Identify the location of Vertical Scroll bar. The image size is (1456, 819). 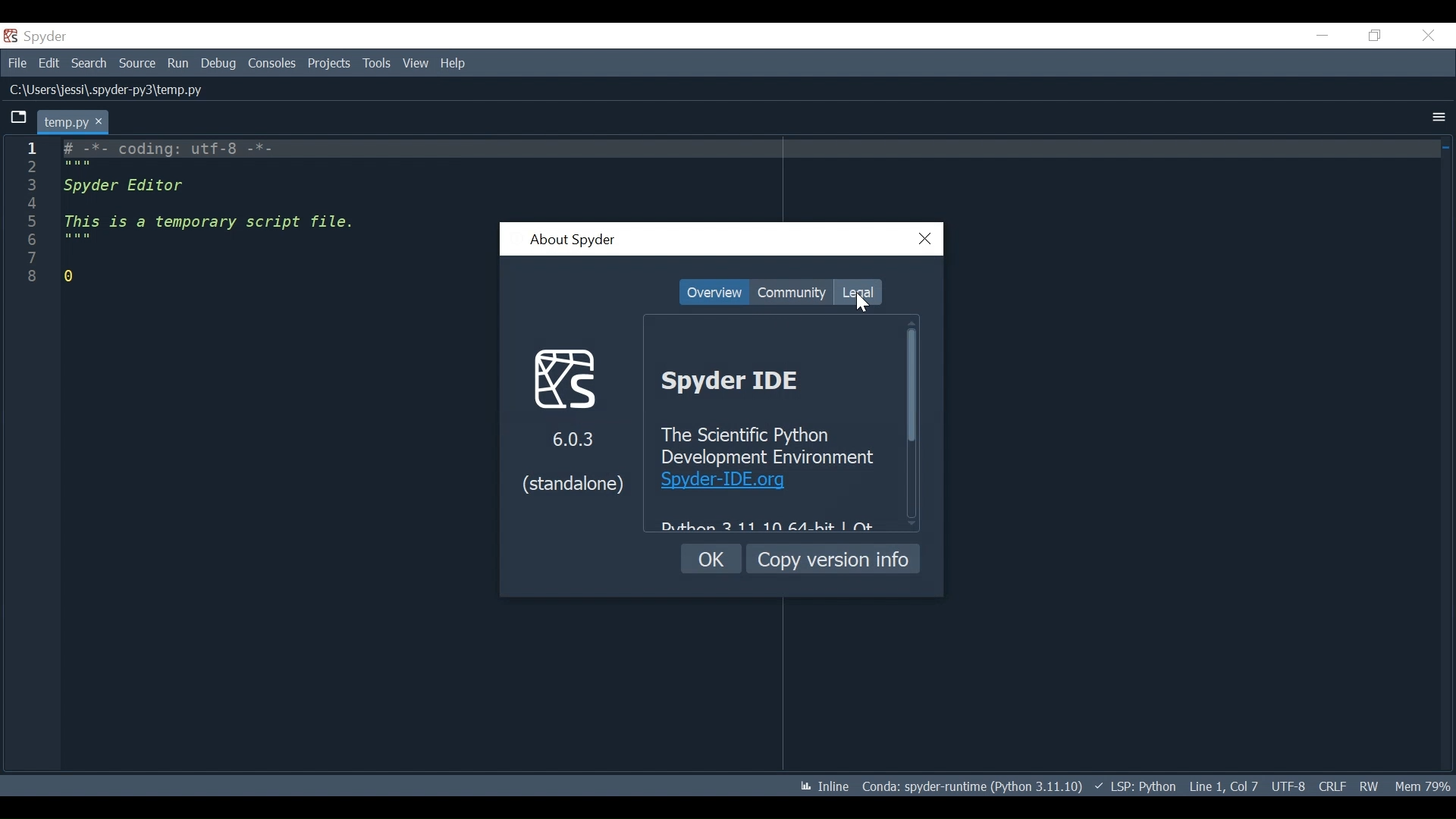
(911, 386).